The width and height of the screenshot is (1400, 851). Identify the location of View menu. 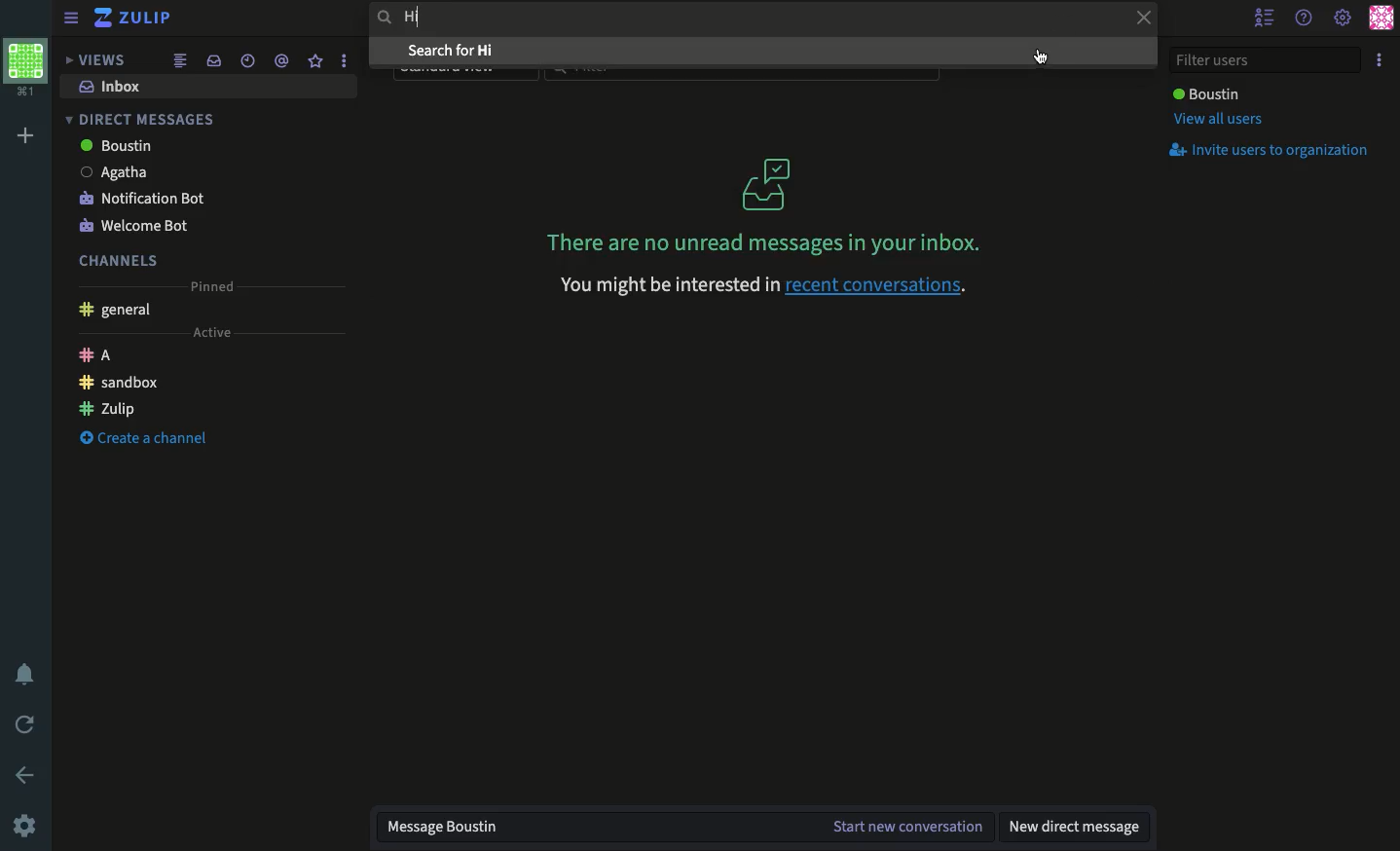
(74, 18).